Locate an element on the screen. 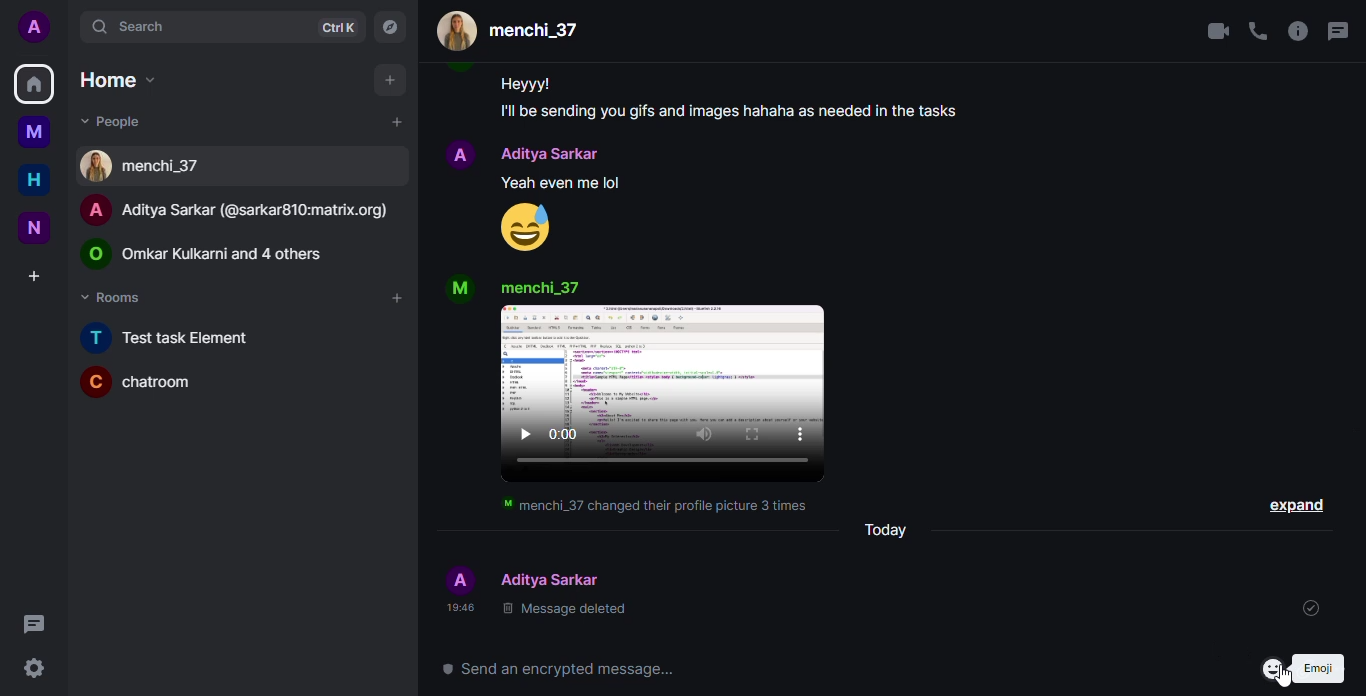  message is located at coordinates (729, 112).